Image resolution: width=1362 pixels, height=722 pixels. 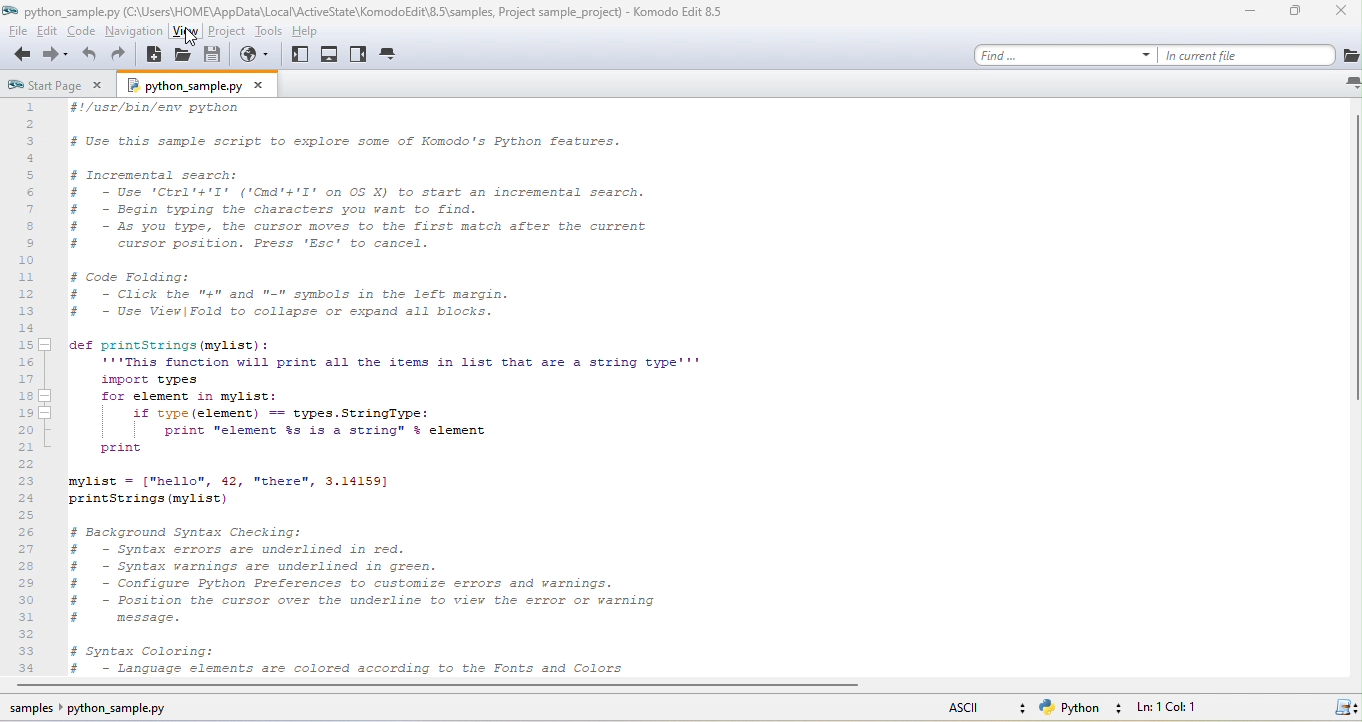 What do you see at coordinates (1299, 11) in the screenshot?
I see `maximize` at bounding box center [1299, 11].